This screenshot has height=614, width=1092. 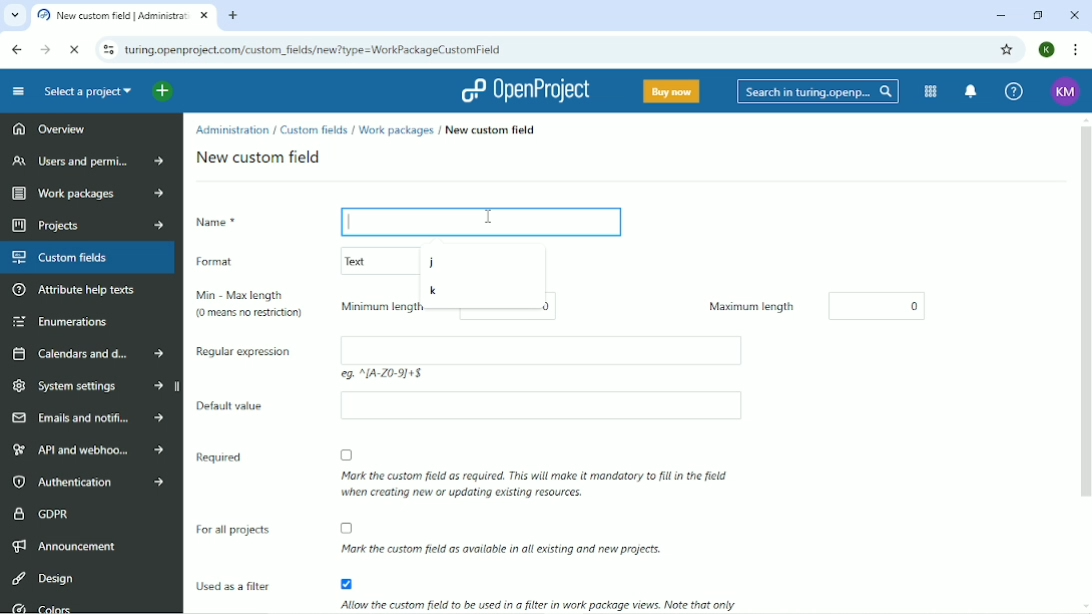 I want to click on System settings, so click(x=90, y=388).